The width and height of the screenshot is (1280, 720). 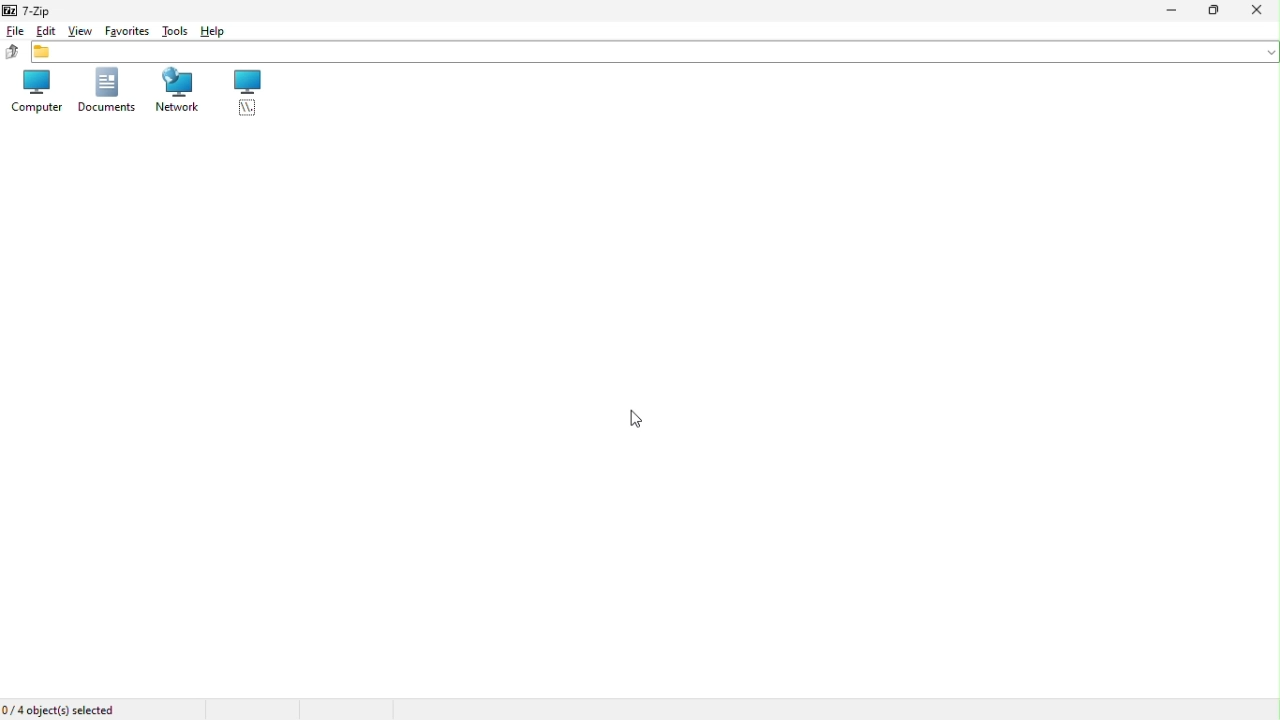 What do you see at coordinates (239, 95) in the screenshot?
I see `root` at bounding box center [239, 95].